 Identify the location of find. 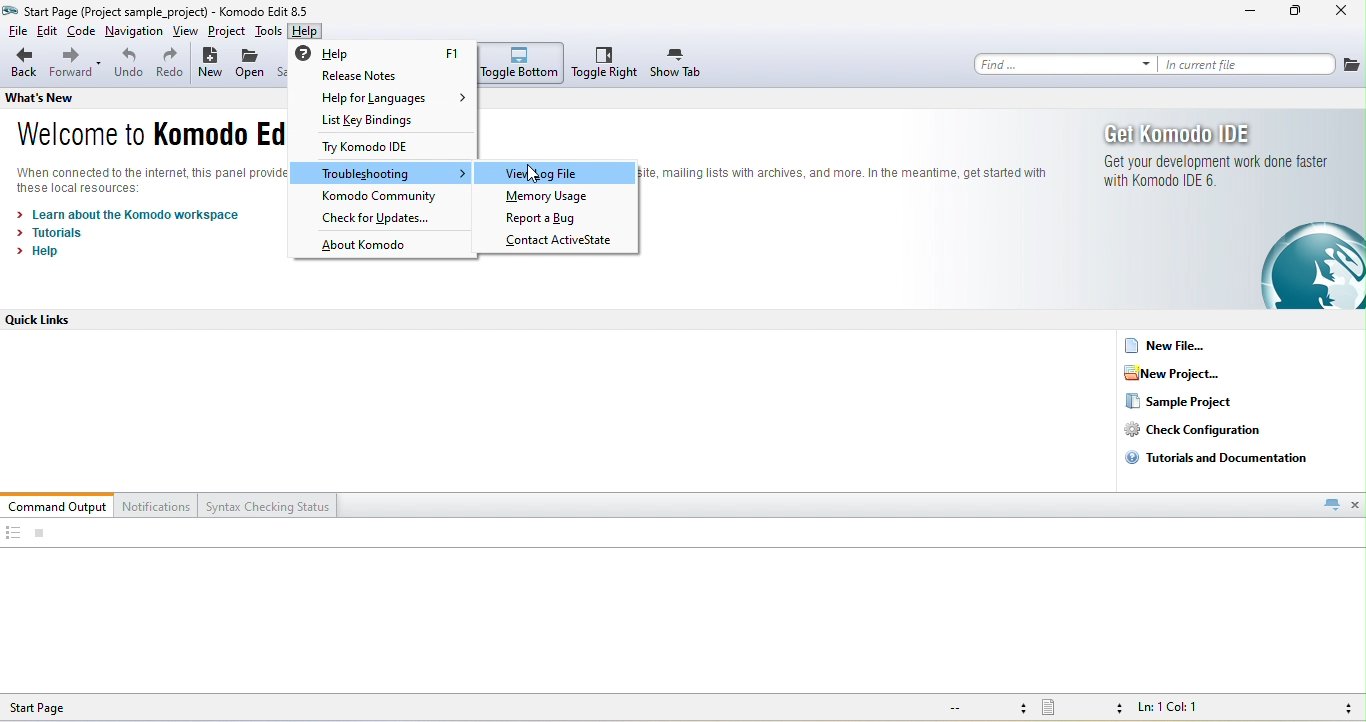
(1065, 64).